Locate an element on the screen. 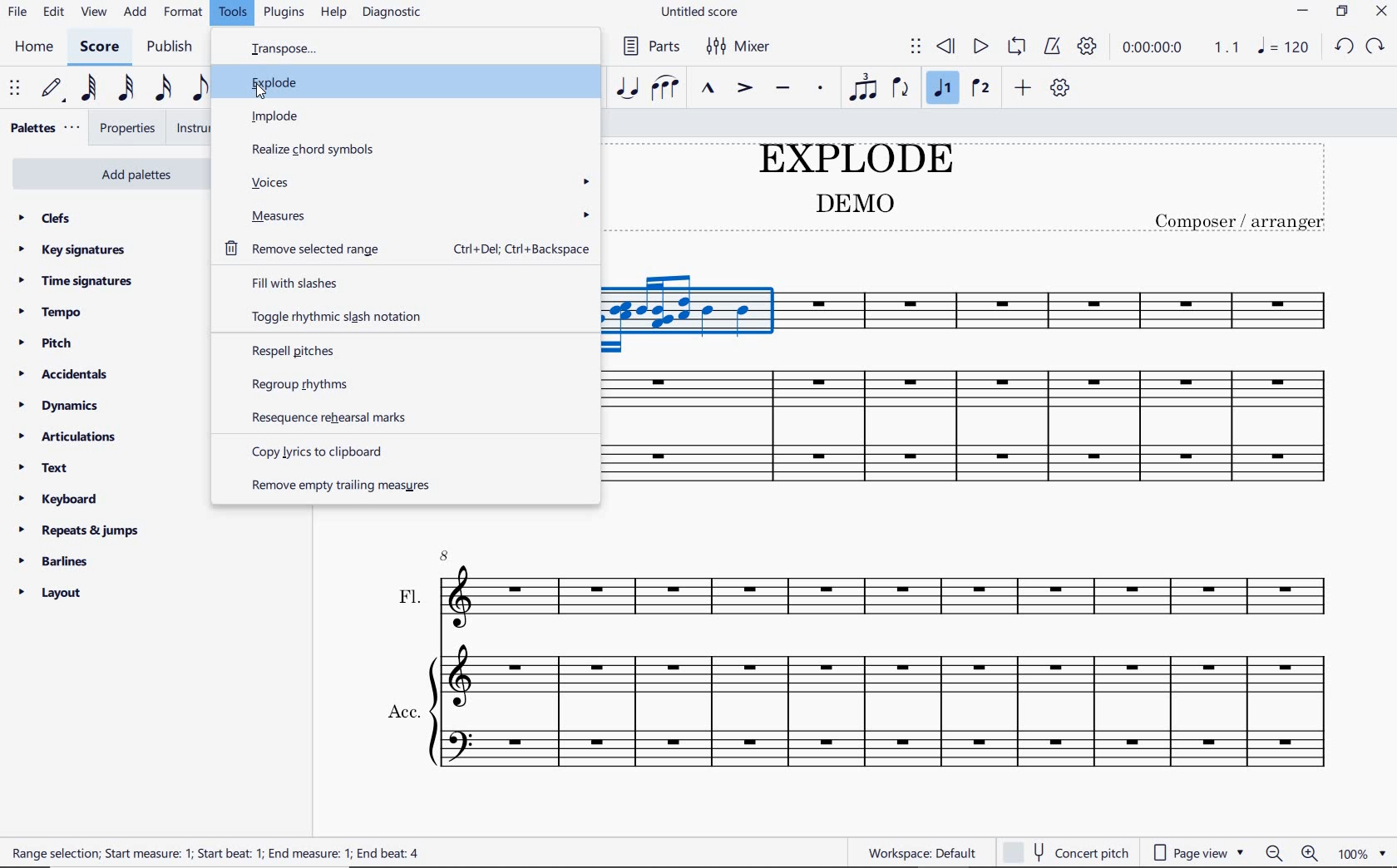  flip direction is located at coordinates (901, 88).